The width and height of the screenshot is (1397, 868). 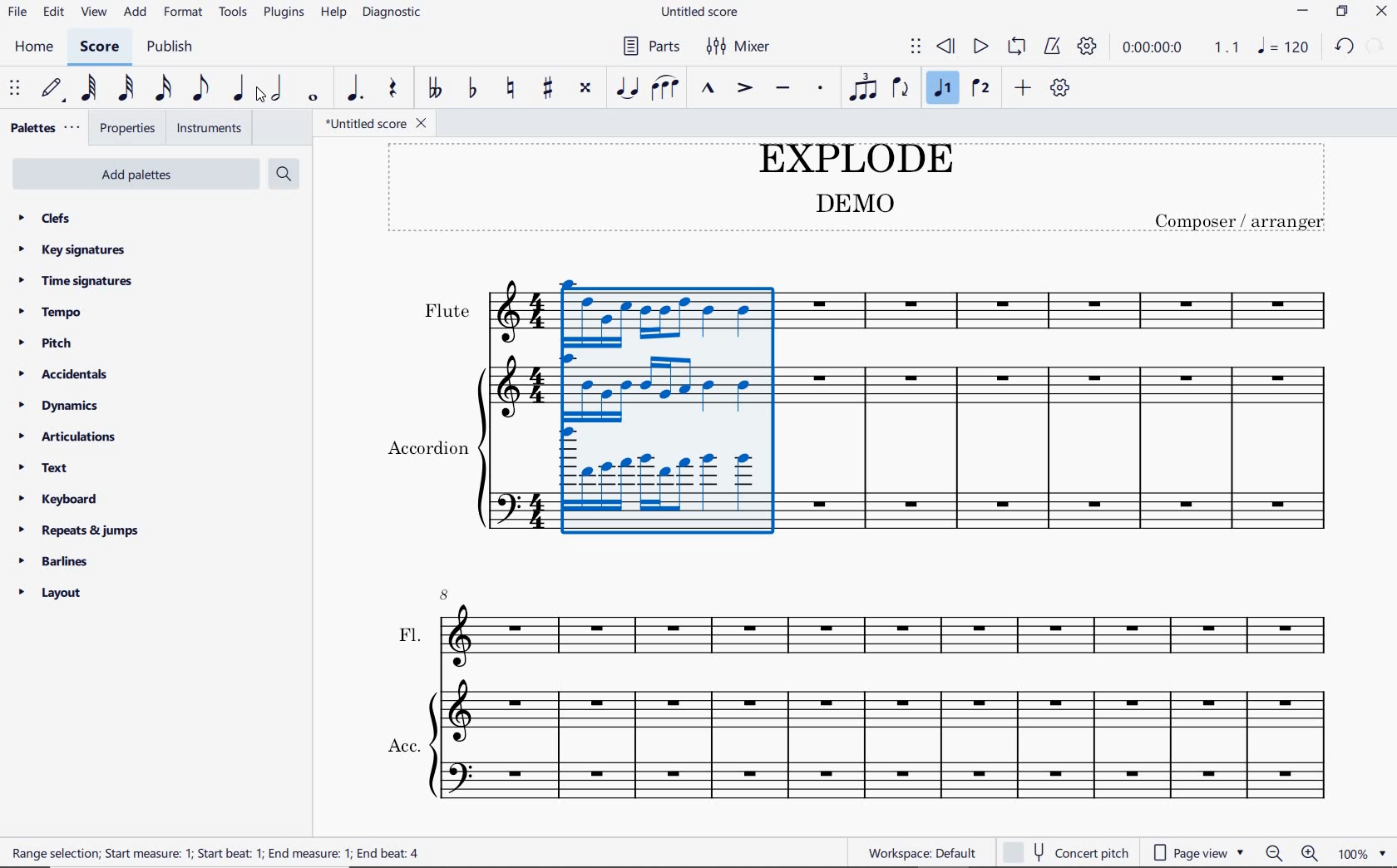 What do you see at coordinates (862, 713) in the screenshot?
I see `Acc.` at bounding box center [862, 713].